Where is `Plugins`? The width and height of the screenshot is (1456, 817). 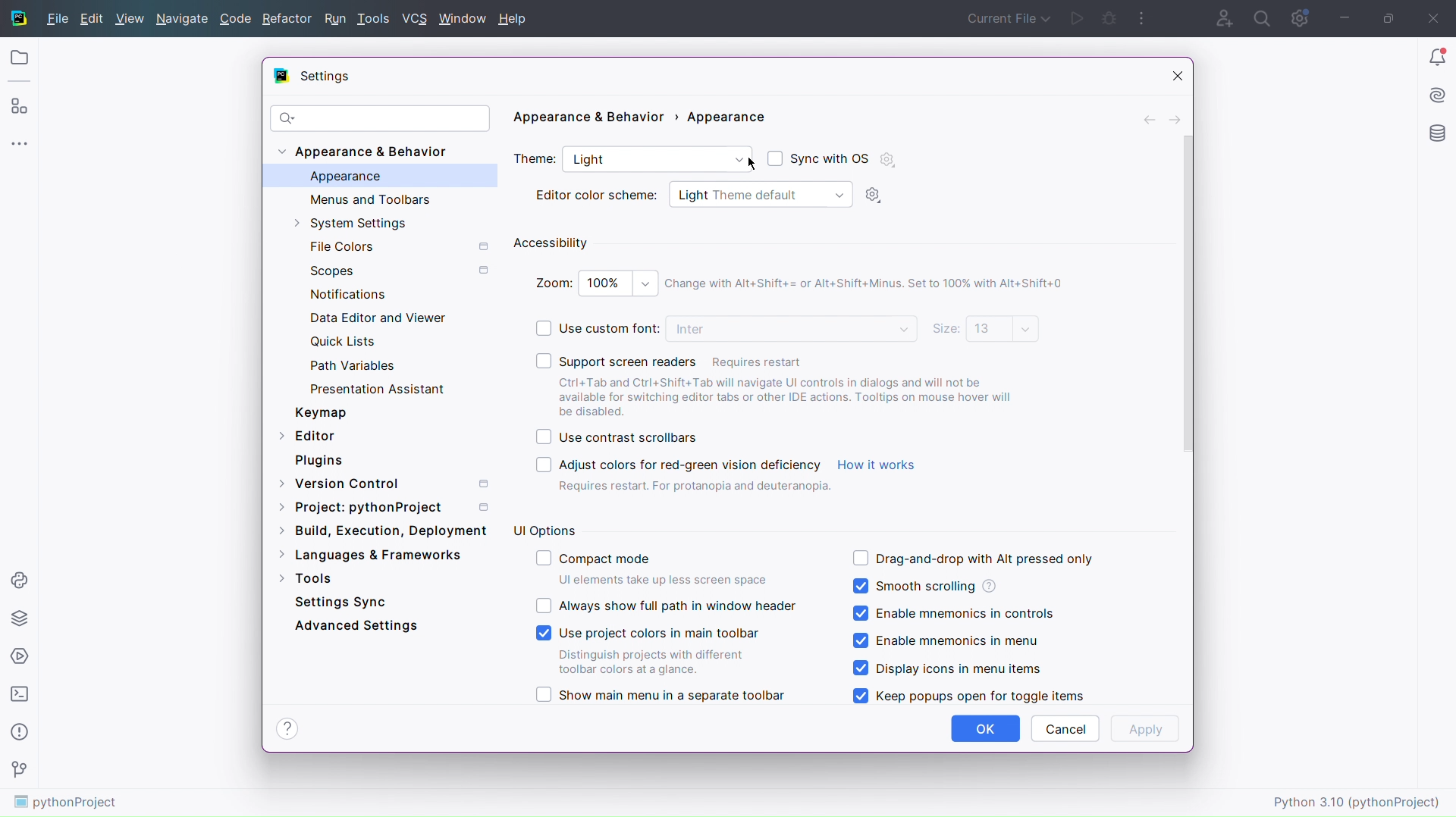
Plugins is located at coordinates (19, 105).